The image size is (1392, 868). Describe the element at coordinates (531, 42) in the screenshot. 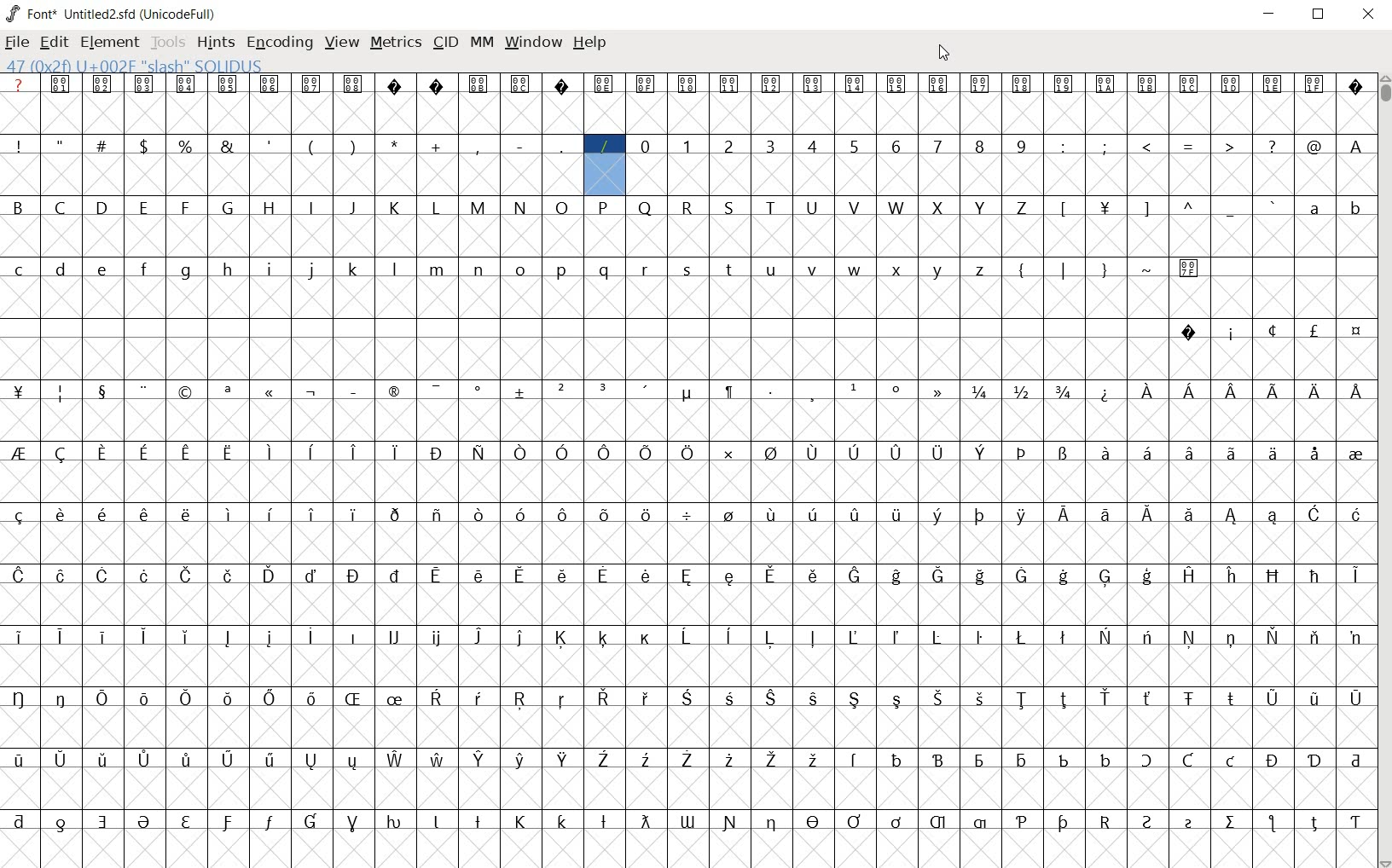

I see `WINDOW` at that location.